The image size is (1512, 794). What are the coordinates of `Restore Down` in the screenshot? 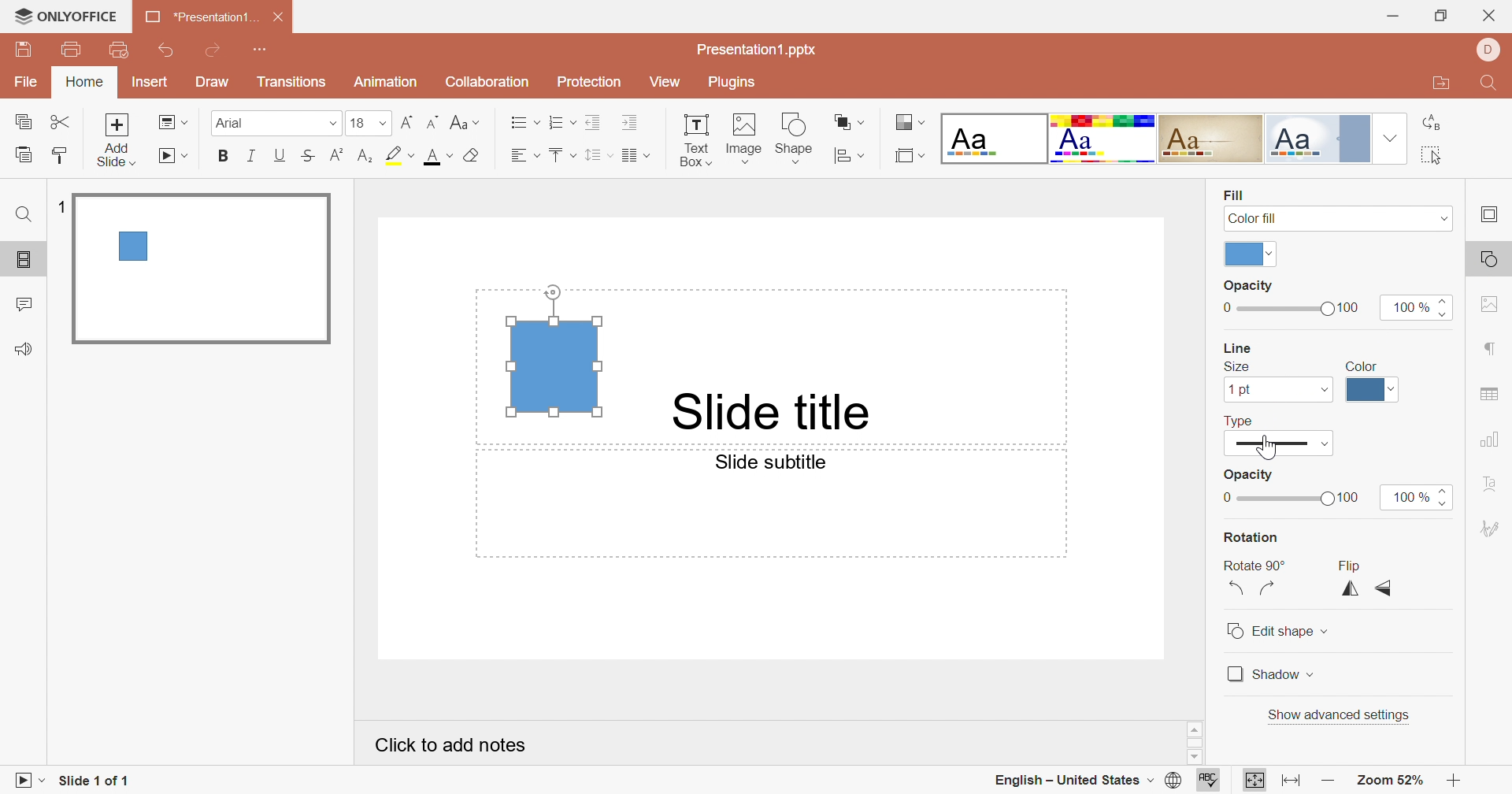 It's located at (1442, 15).